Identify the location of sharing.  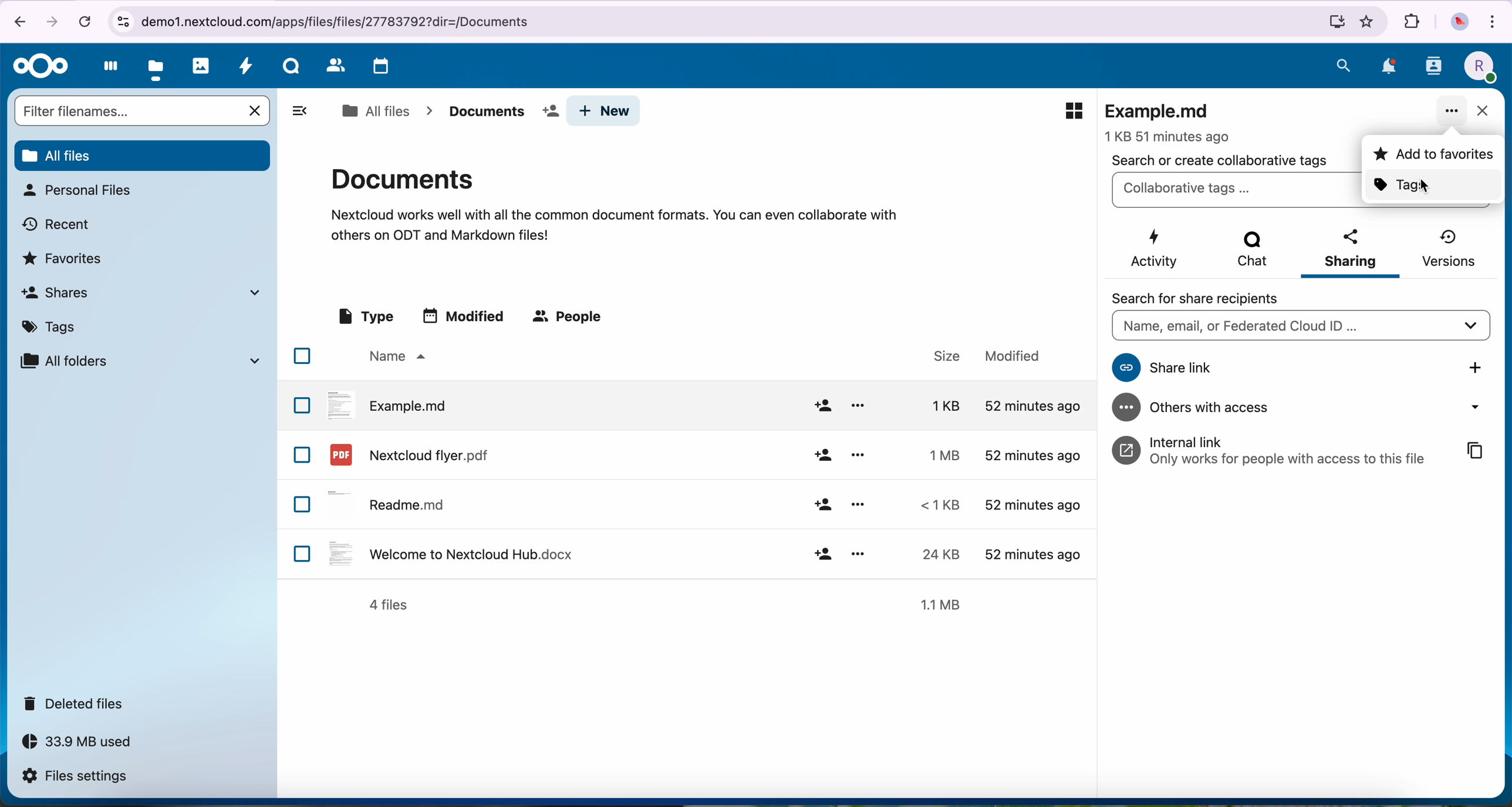
(1351, 252).